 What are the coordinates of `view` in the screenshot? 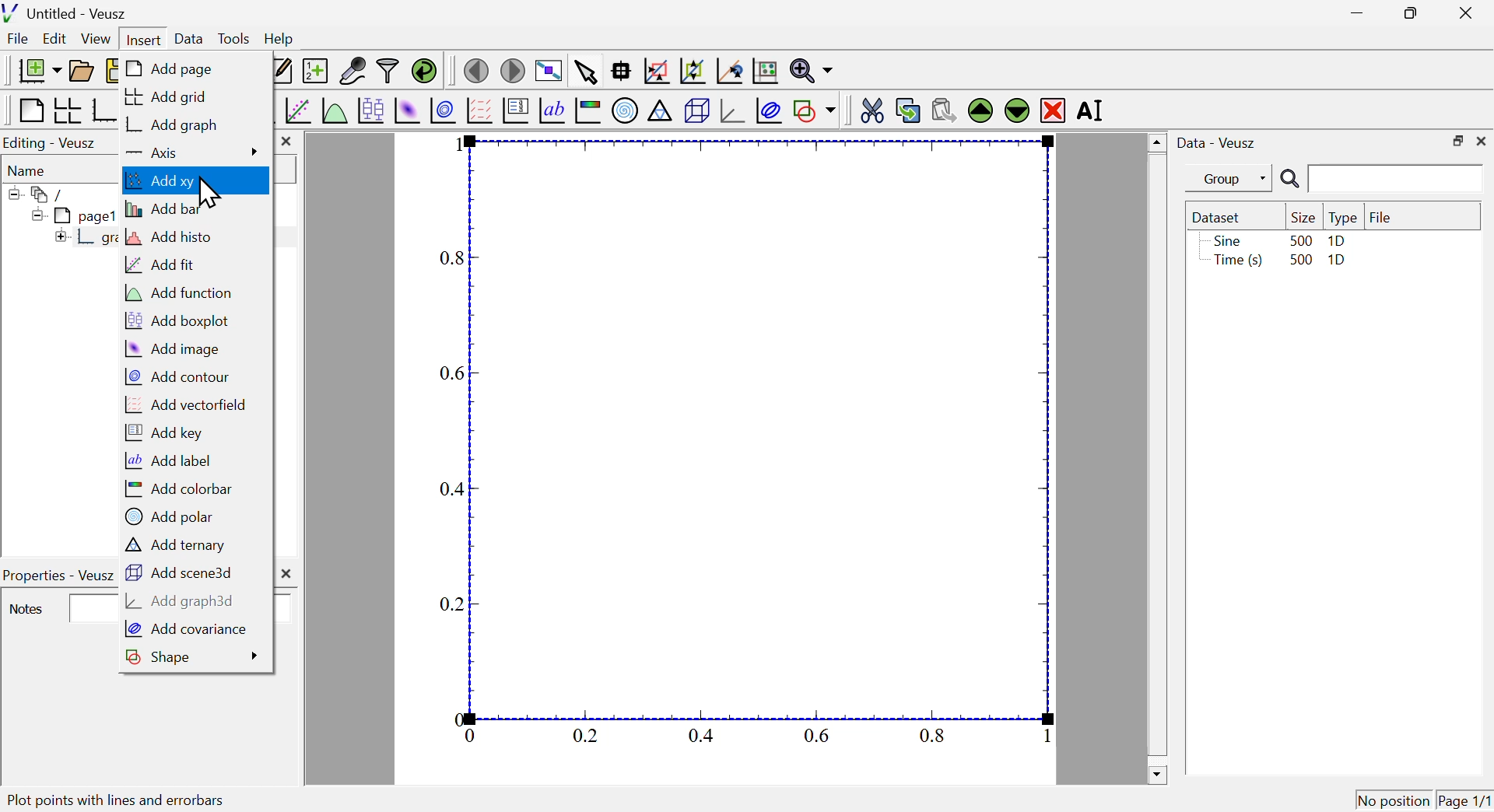 It's located at (97, 38).